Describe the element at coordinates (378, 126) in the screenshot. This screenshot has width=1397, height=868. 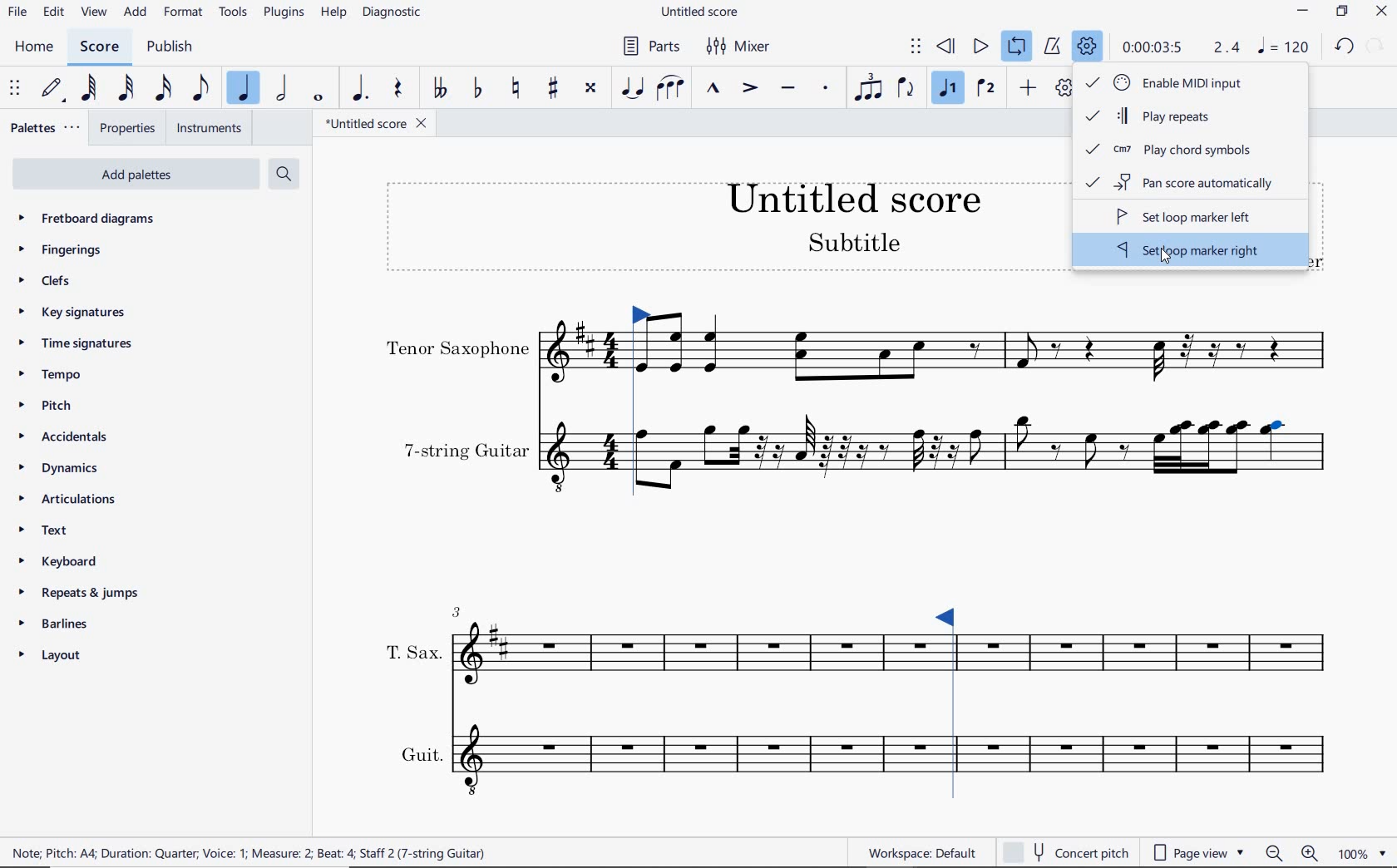
I see `FILE NAME` at that location.